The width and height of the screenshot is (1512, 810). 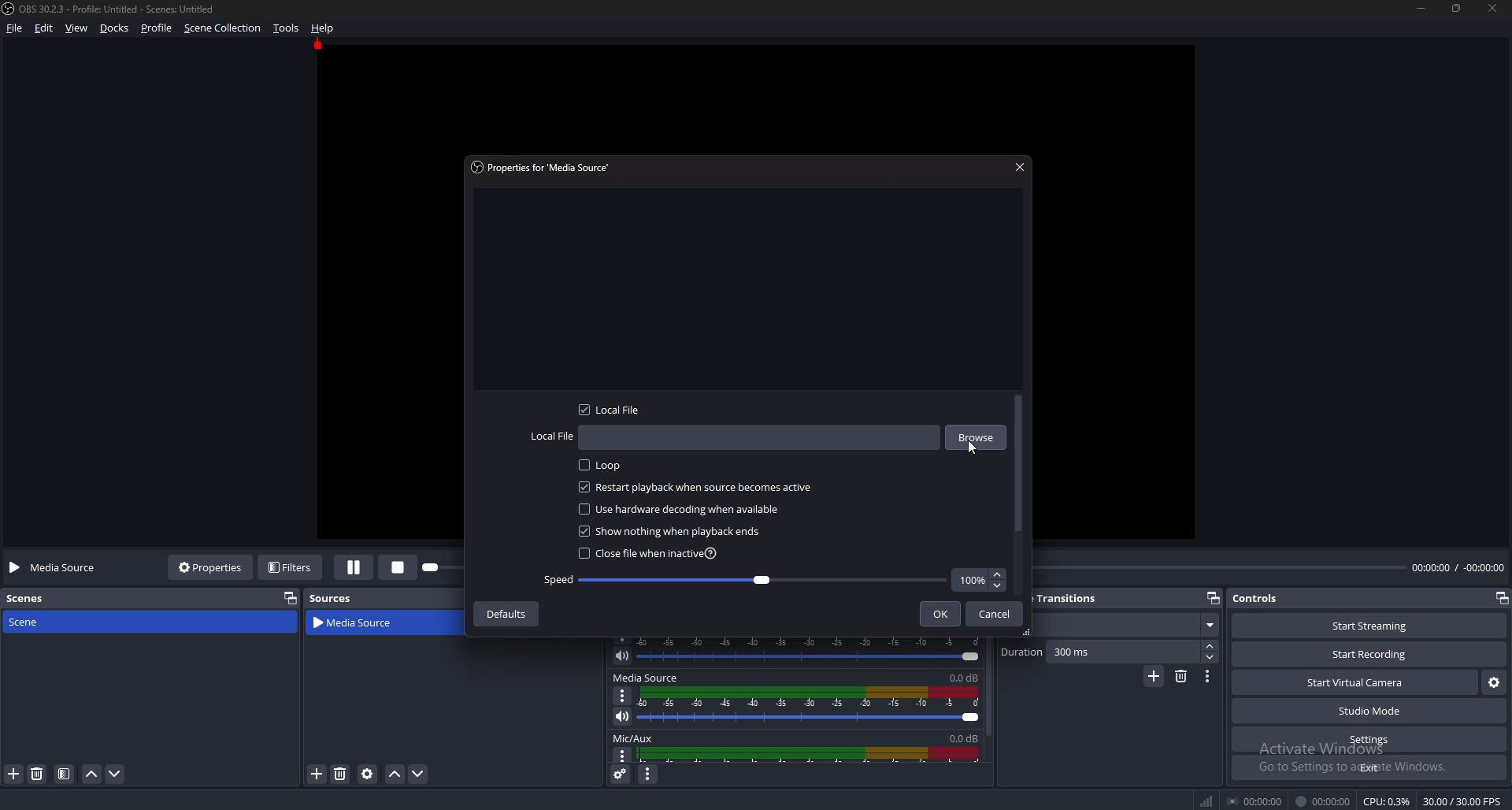 I want to click on Defaults, so click(x=505, y=614).